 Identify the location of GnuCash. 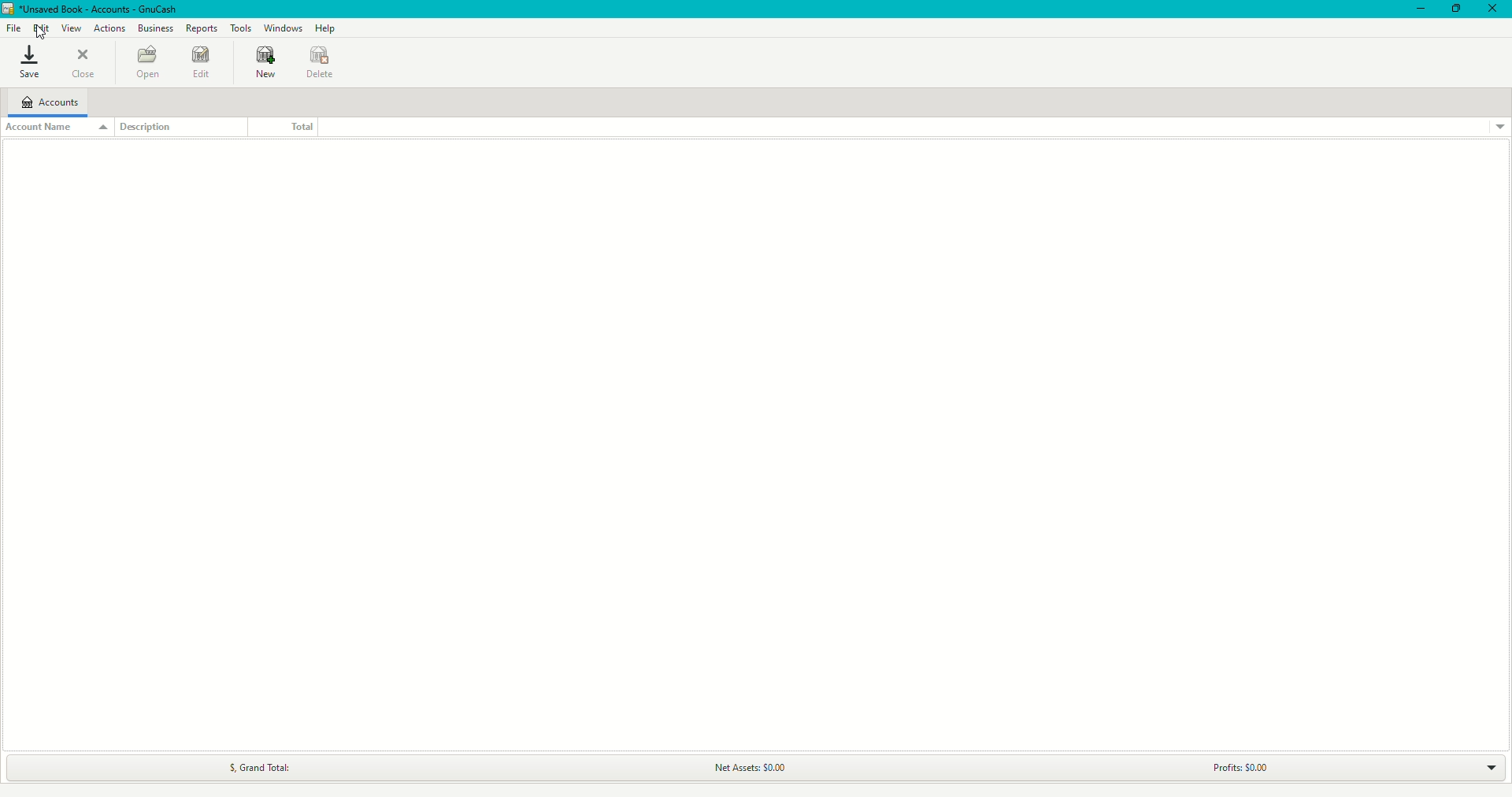
(90, 9).